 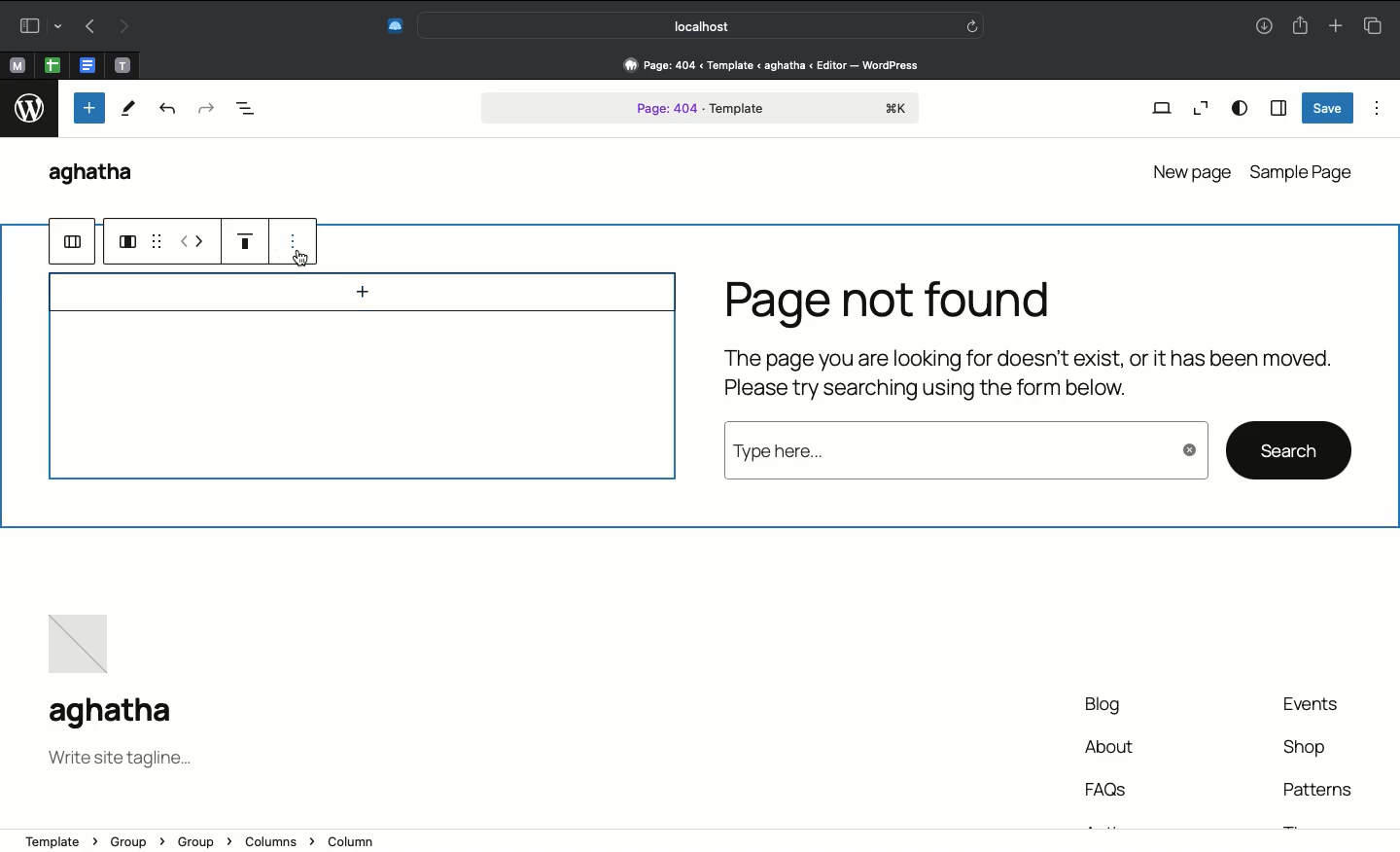 I want to click on Image, so click(x=78, y=650).